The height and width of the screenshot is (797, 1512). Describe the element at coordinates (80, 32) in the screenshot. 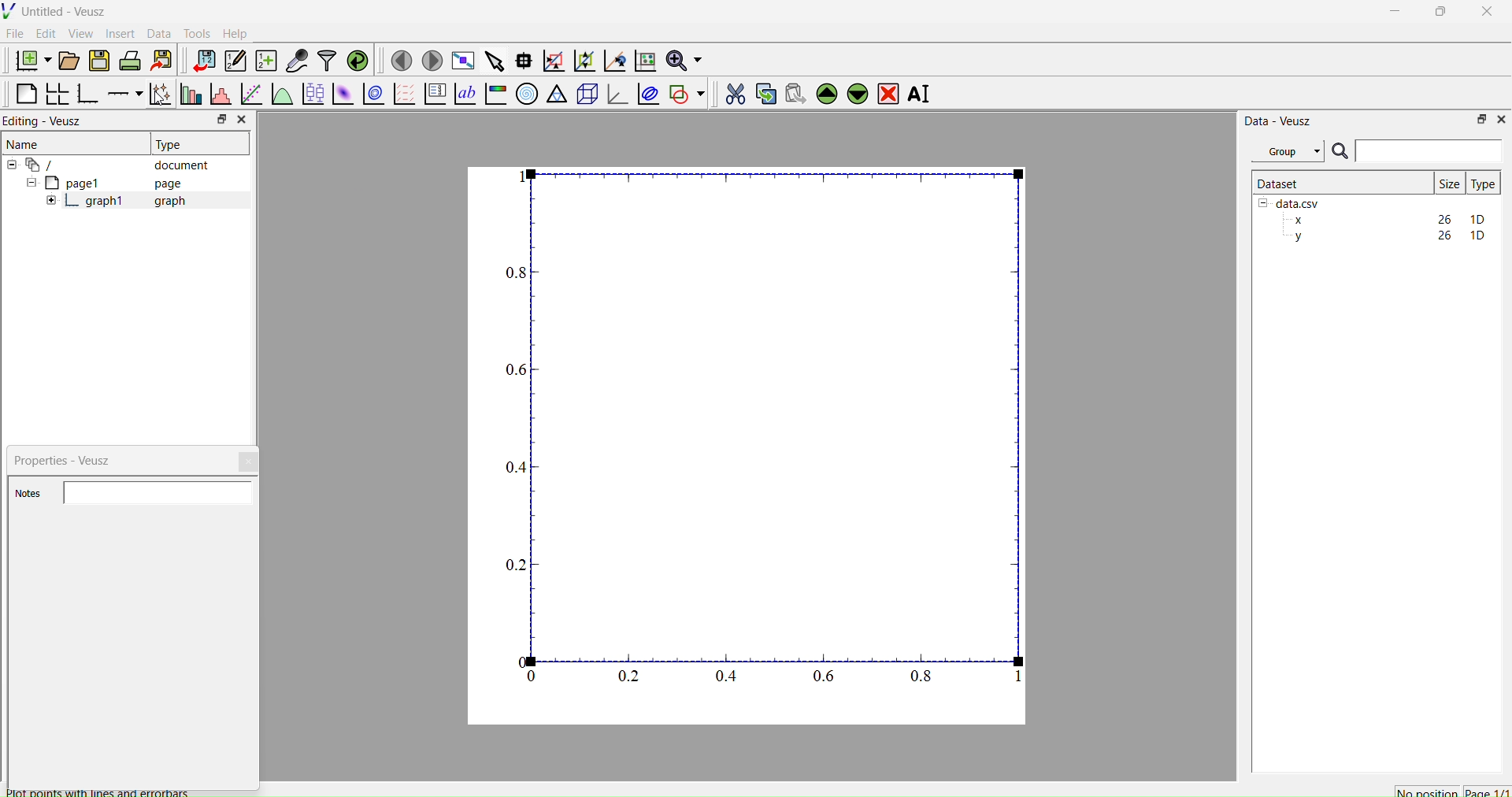

I see `View` at that location.